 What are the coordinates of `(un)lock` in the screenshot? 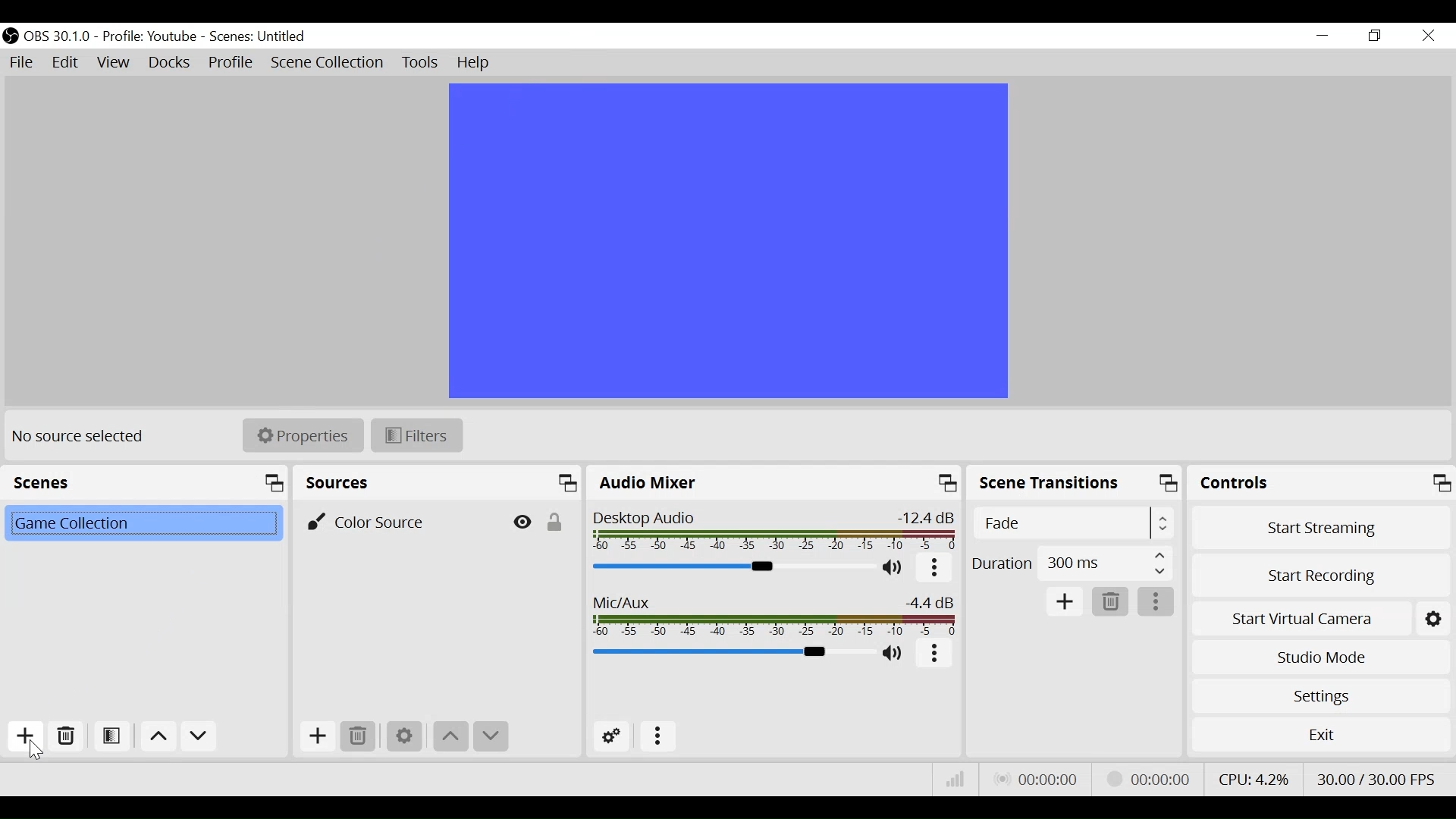 It's located at (558, 521).